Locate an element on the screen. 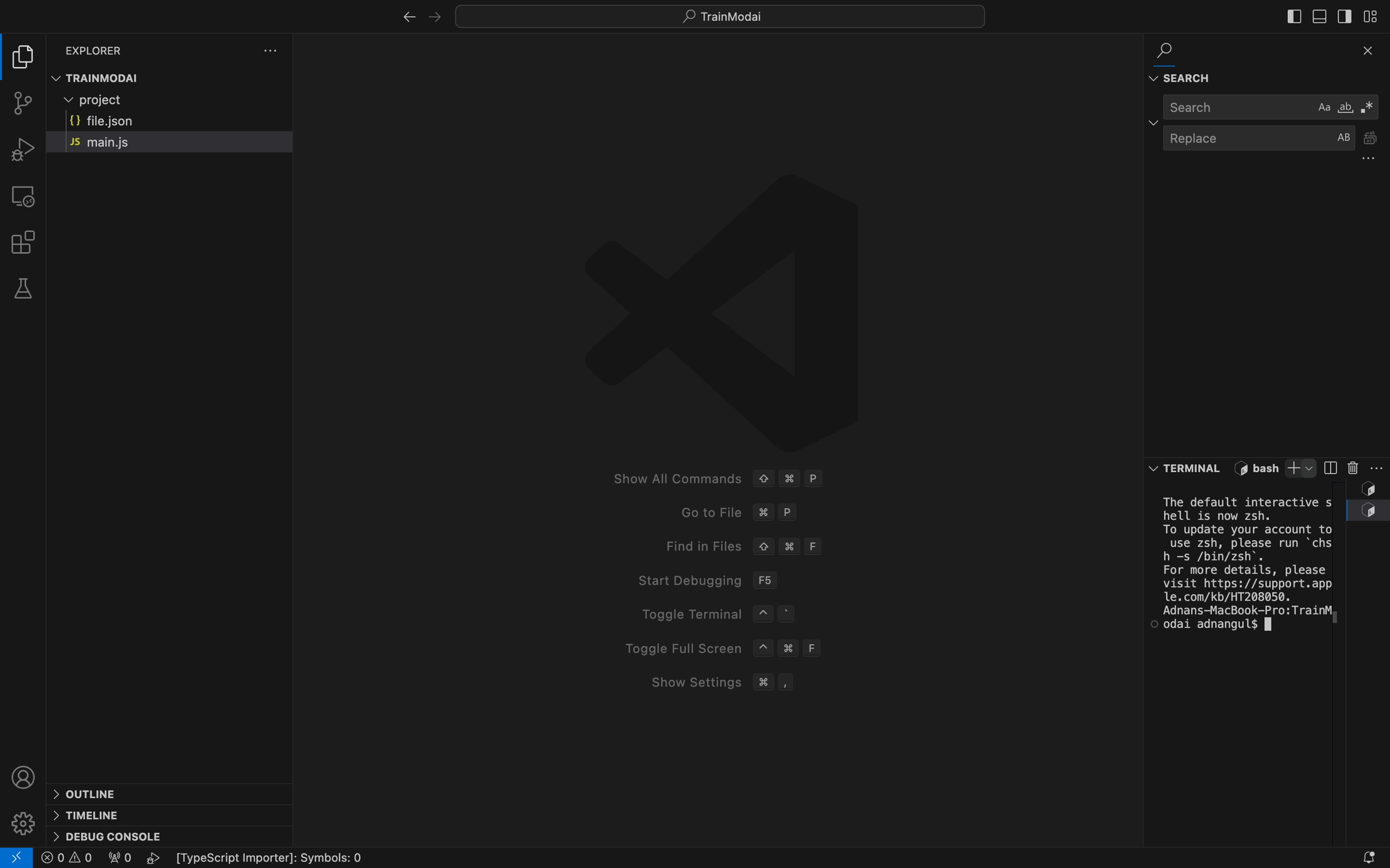  sidebar at left is located at coordinates (1292, 17).